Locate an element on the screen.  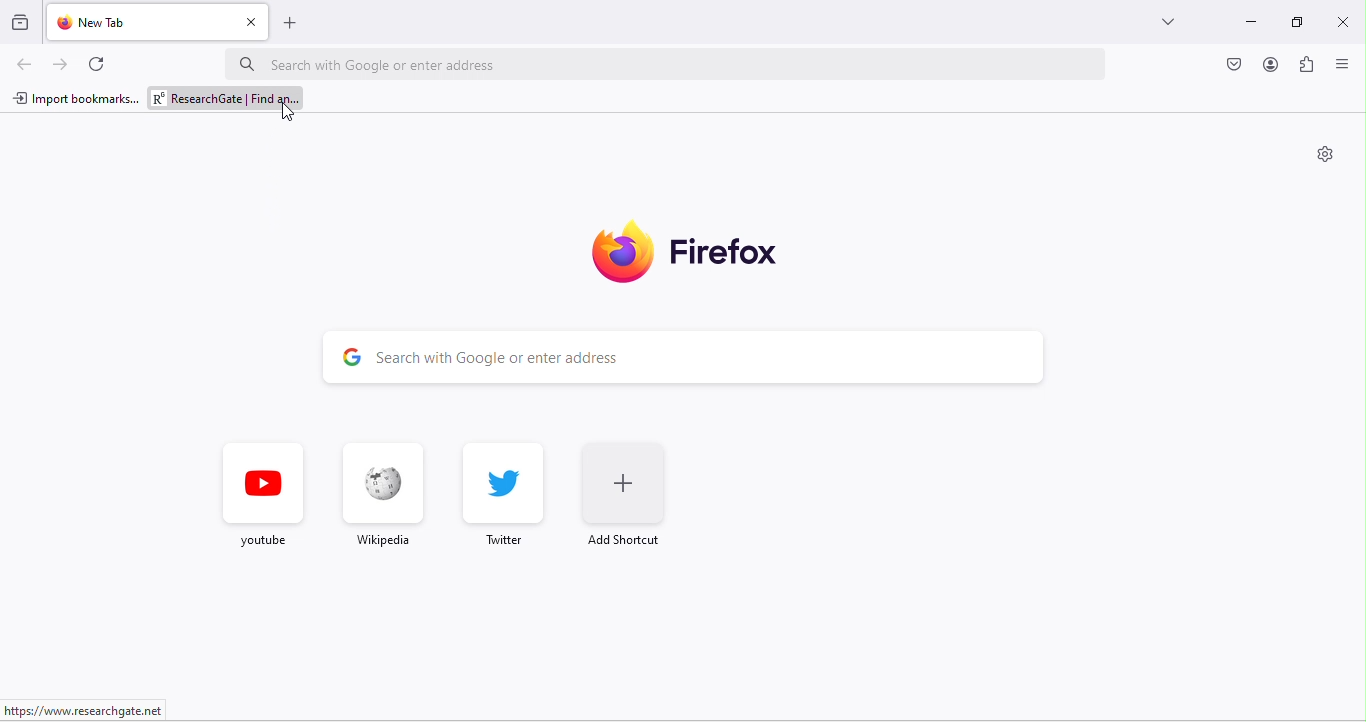
https//www.researchaate.net is located at coordinates (90, 708).